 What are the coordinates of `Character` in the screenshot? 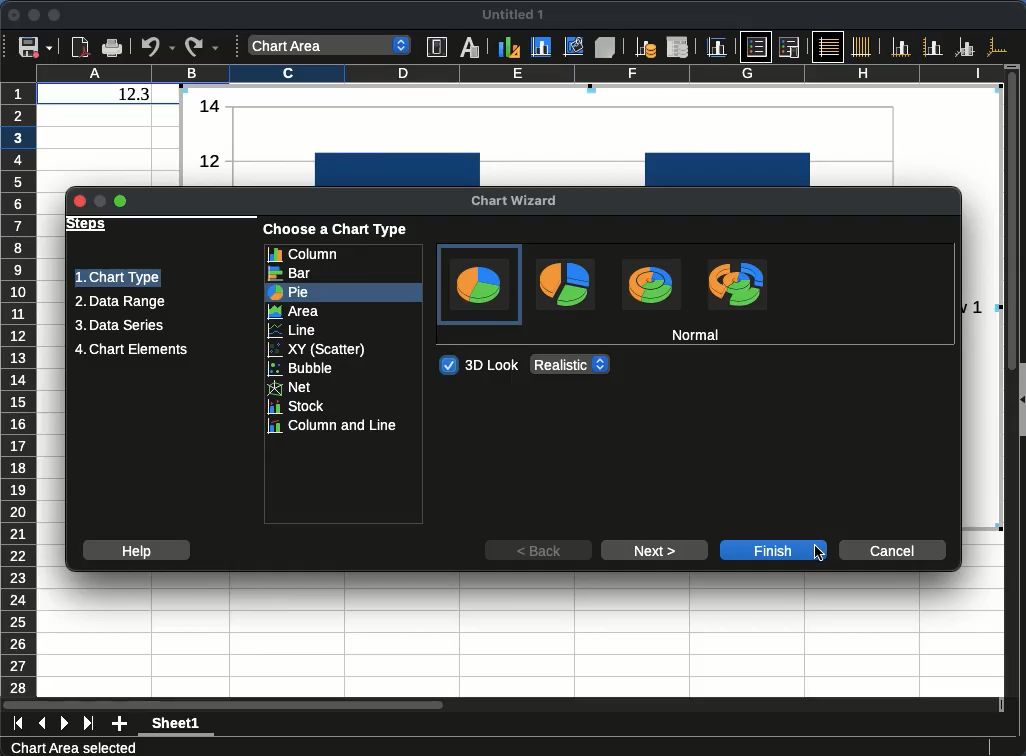 It's located at (470, 46).